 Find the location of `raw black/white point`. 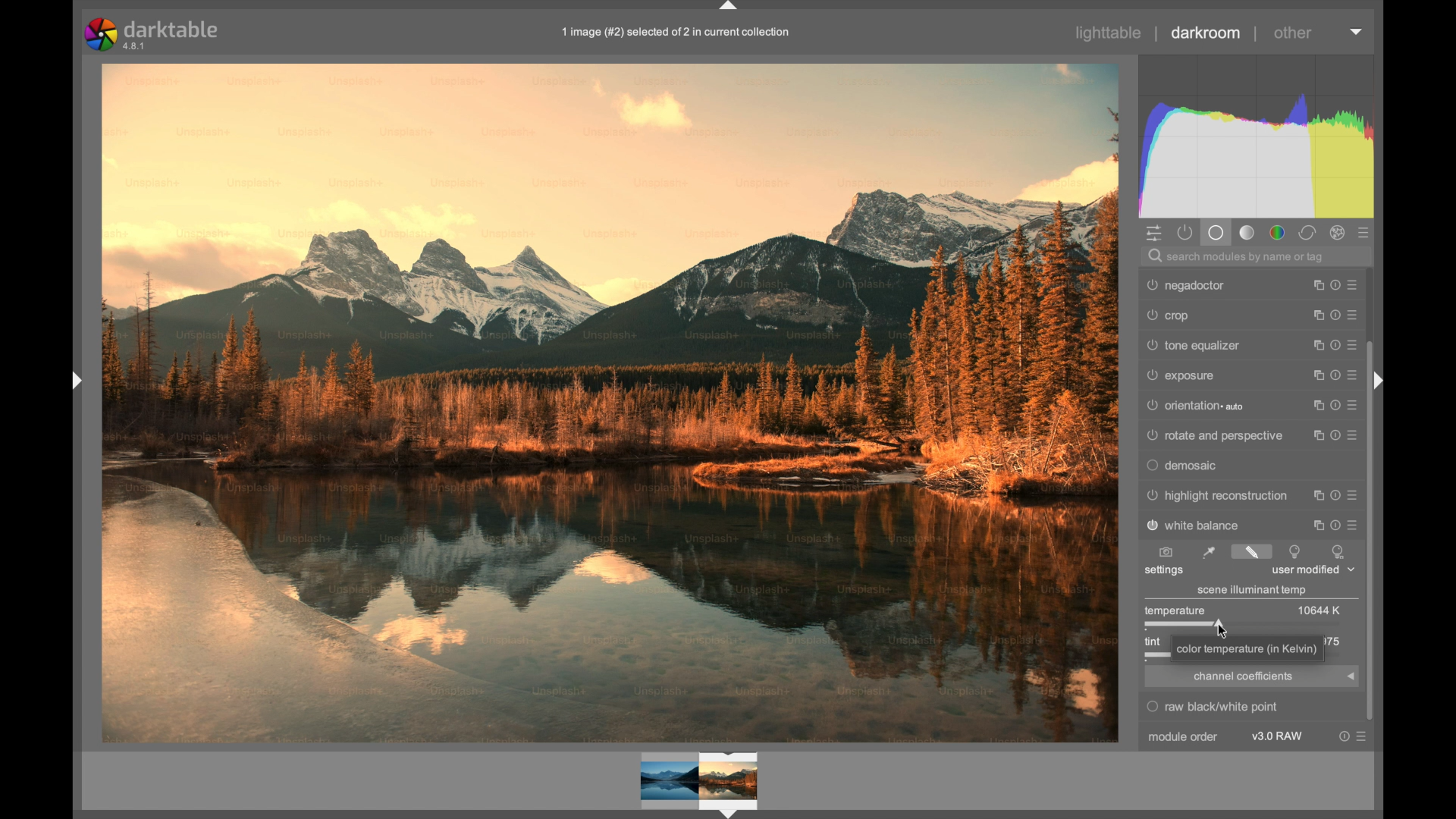

raw black/white point is located at coordinates (1216, 706).